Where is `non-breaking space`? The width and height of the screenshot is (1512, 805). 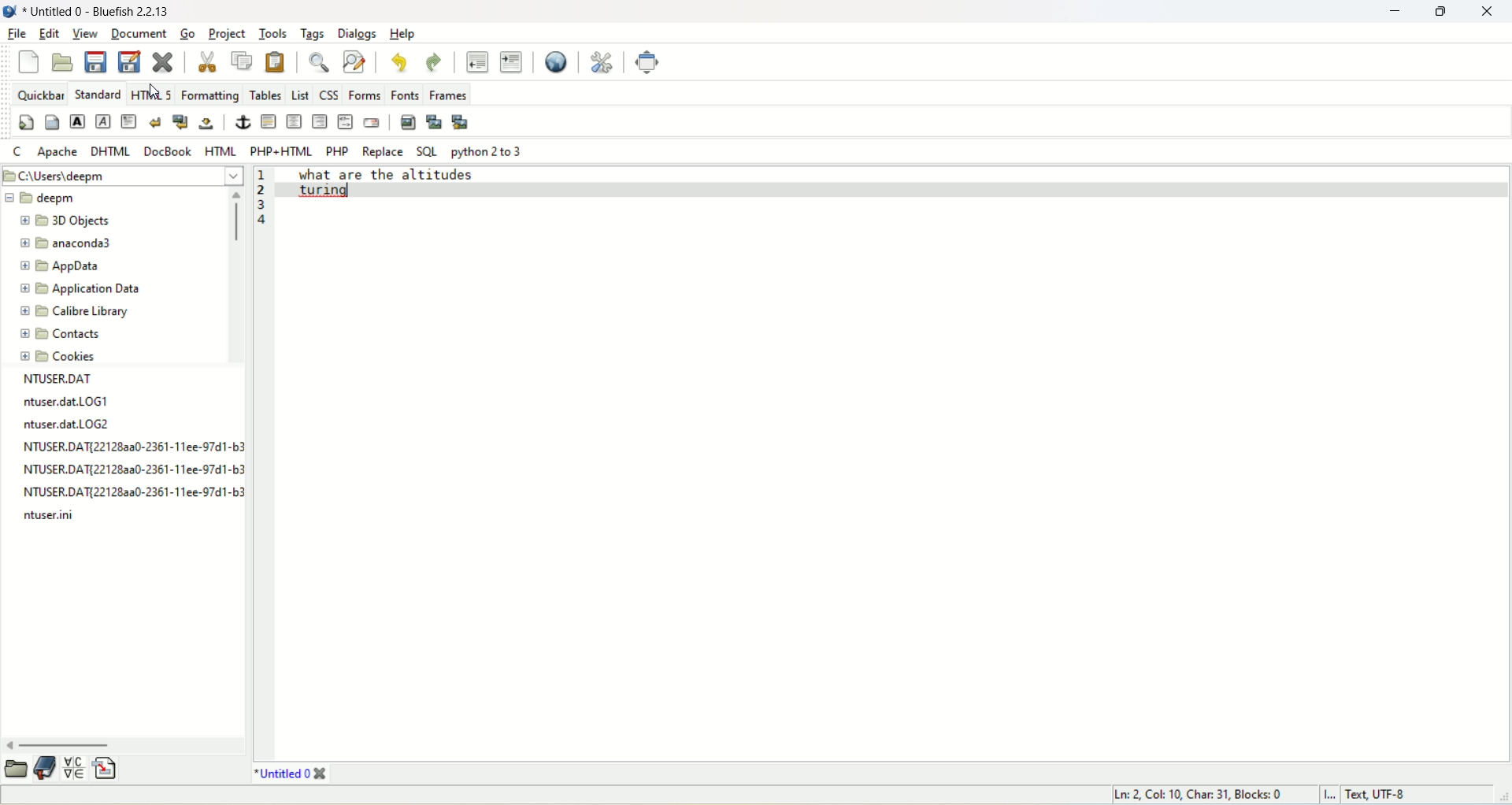 non-breaking space is located at coordinates (207, 124).